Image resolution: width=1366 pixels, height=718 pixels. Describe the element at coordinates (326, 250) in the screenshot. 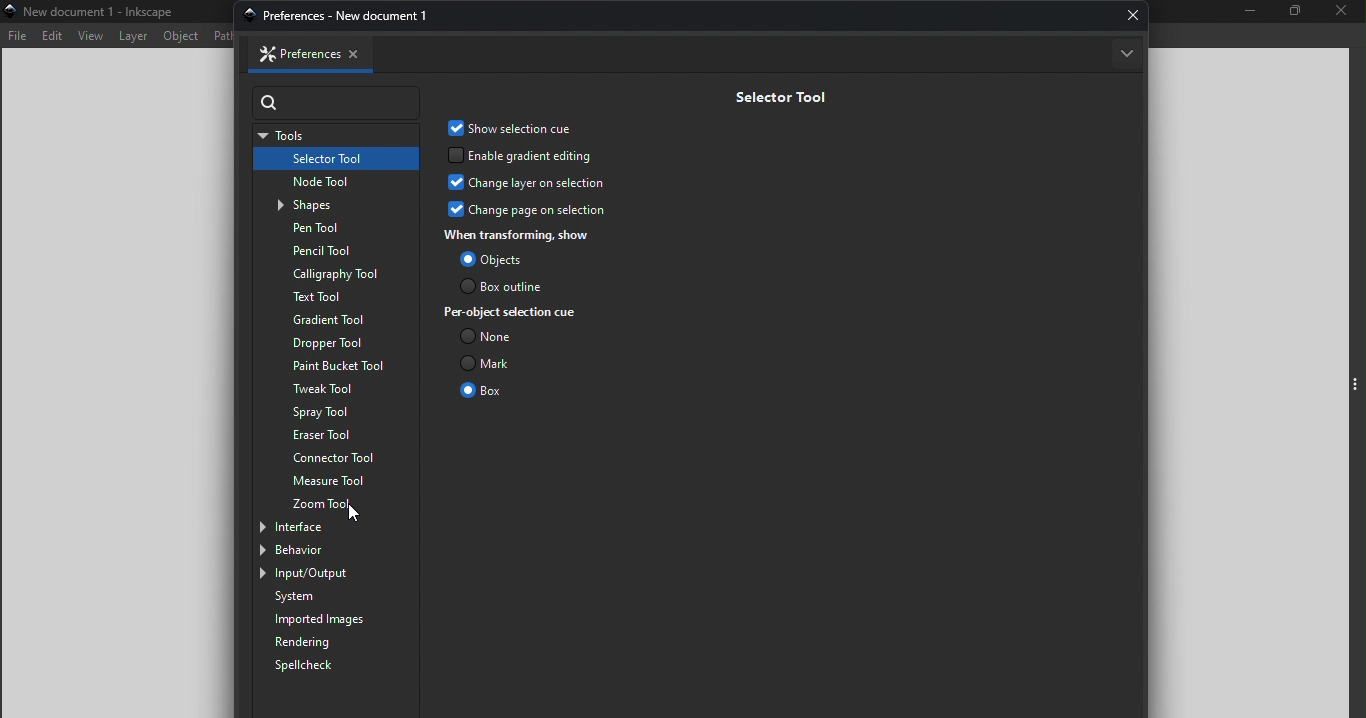

I see `Pencil tool` at that location.